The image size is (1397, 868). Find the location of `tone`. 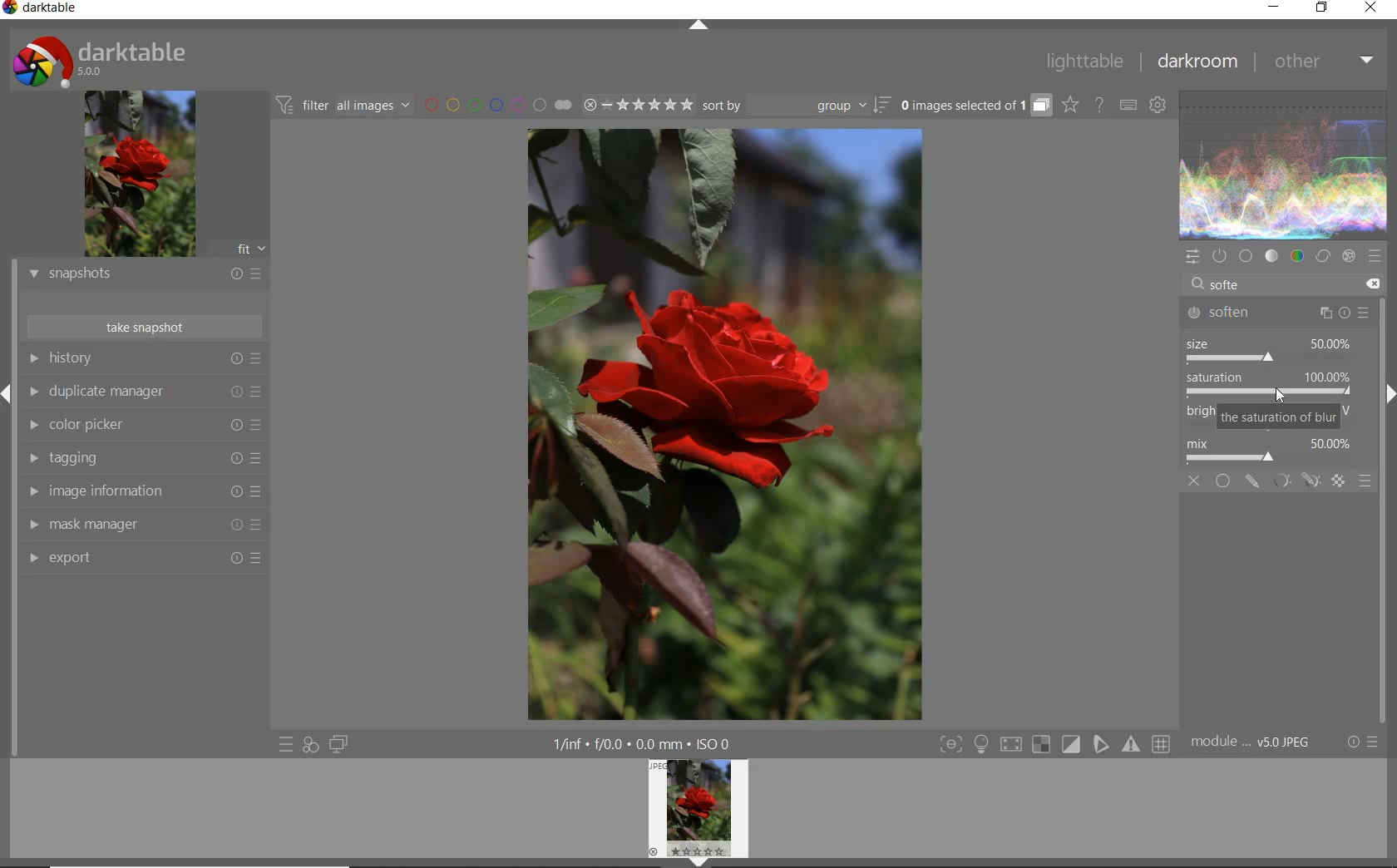

tone is located at coordinates (1271, 257).